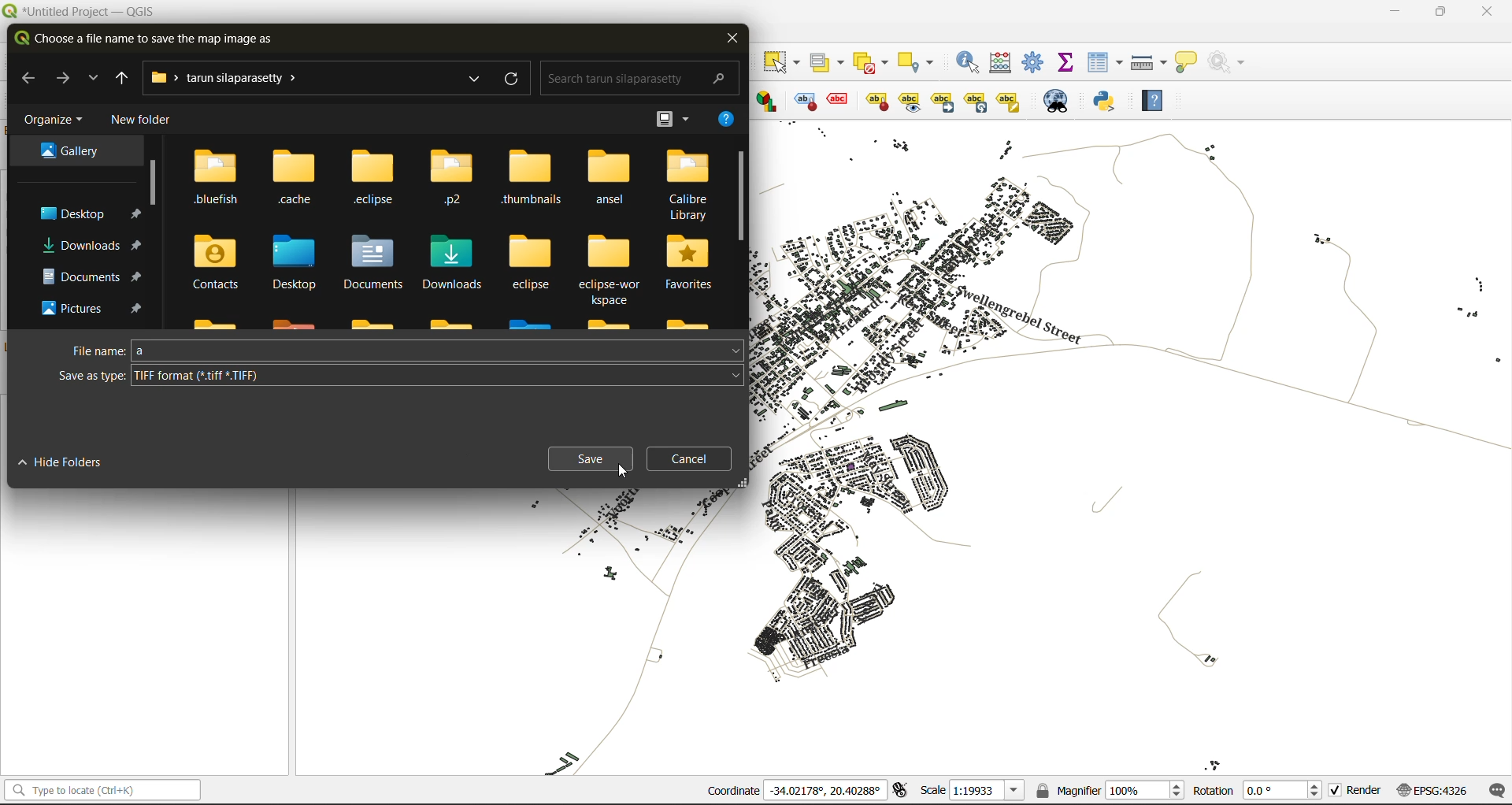 The height and width of the screenshot is (805, 1512). What do you see at coordinates (453, 236) in the screenshot?
I see `folders` at bounding box center [453, 236].